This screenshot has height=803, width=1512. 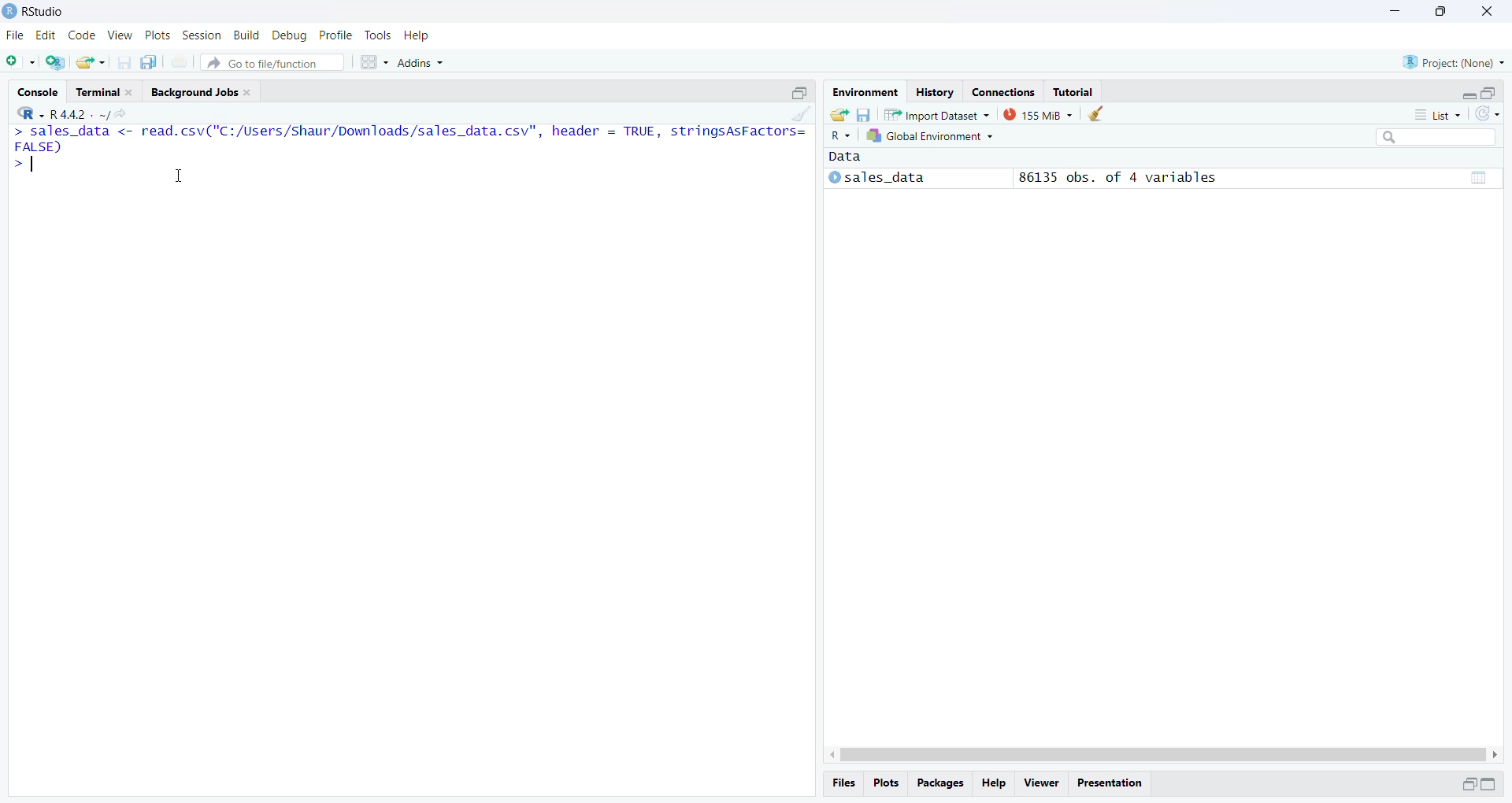 I want to click on Environment, so click(x=863, y=93).